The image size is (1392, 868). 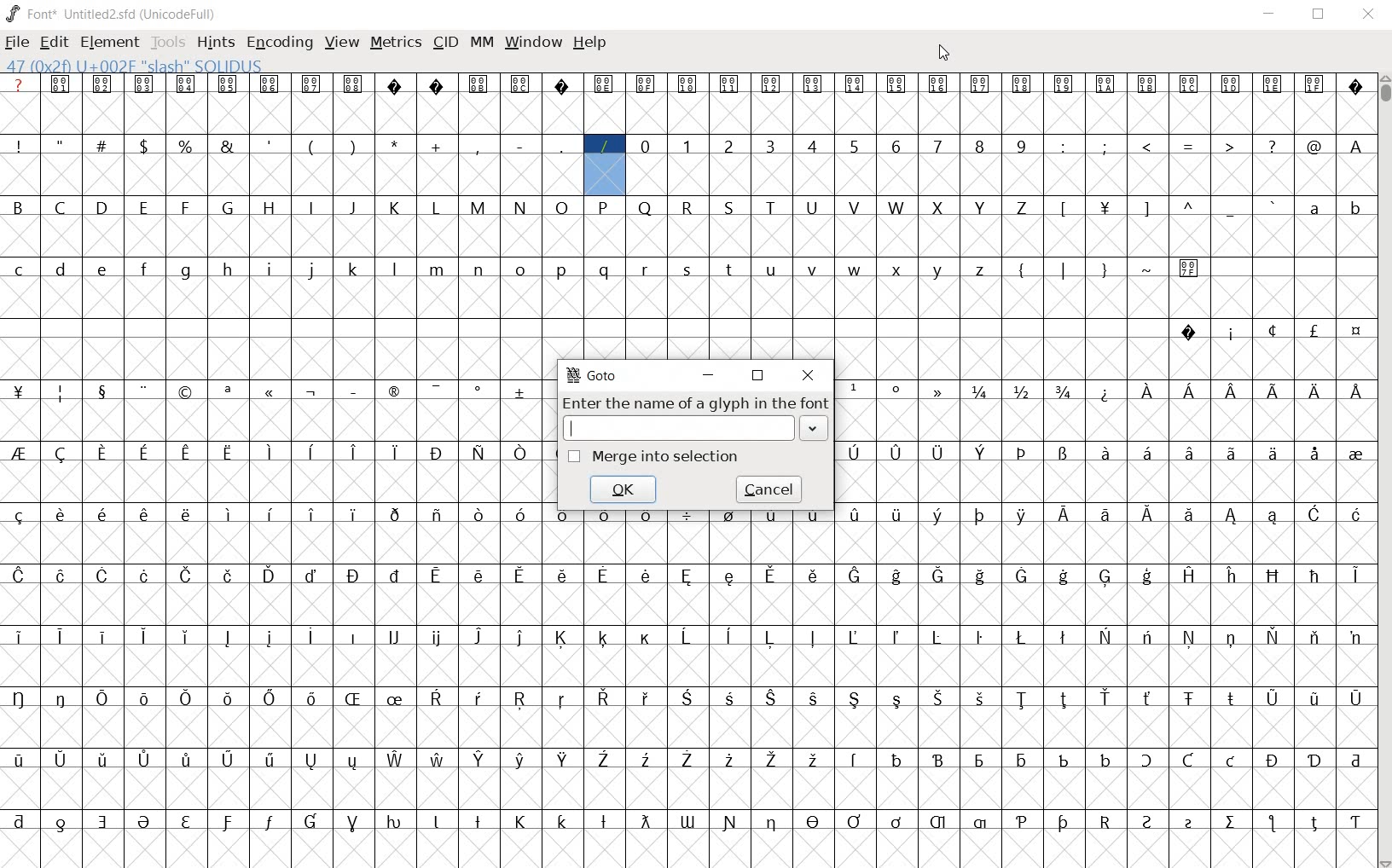 What do you see at coordinates (1064, 761) in the screenshot?
I see `glyph` at bounding box center [1064, 761].